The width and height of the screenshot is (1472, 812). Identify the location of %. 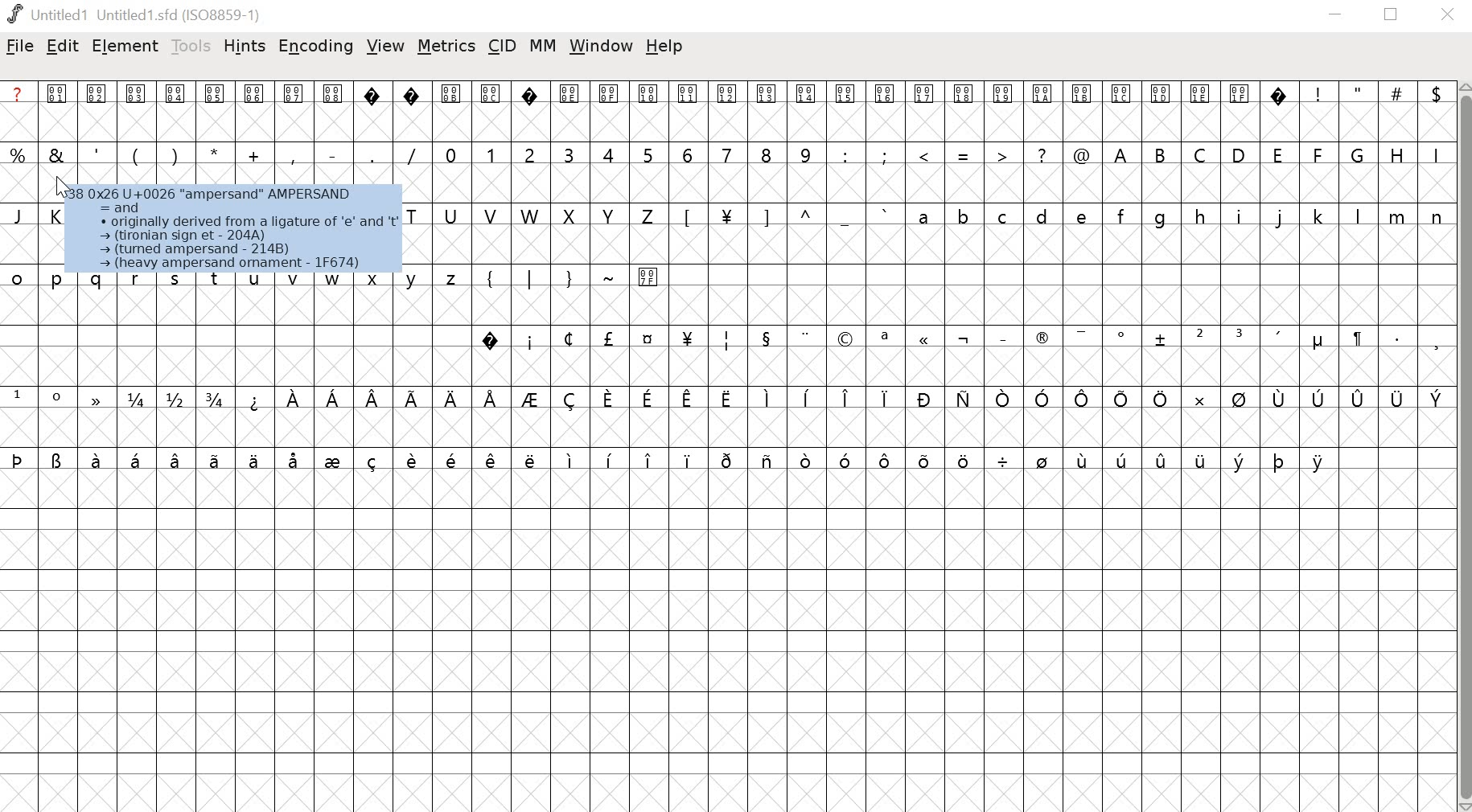
(19, 154).